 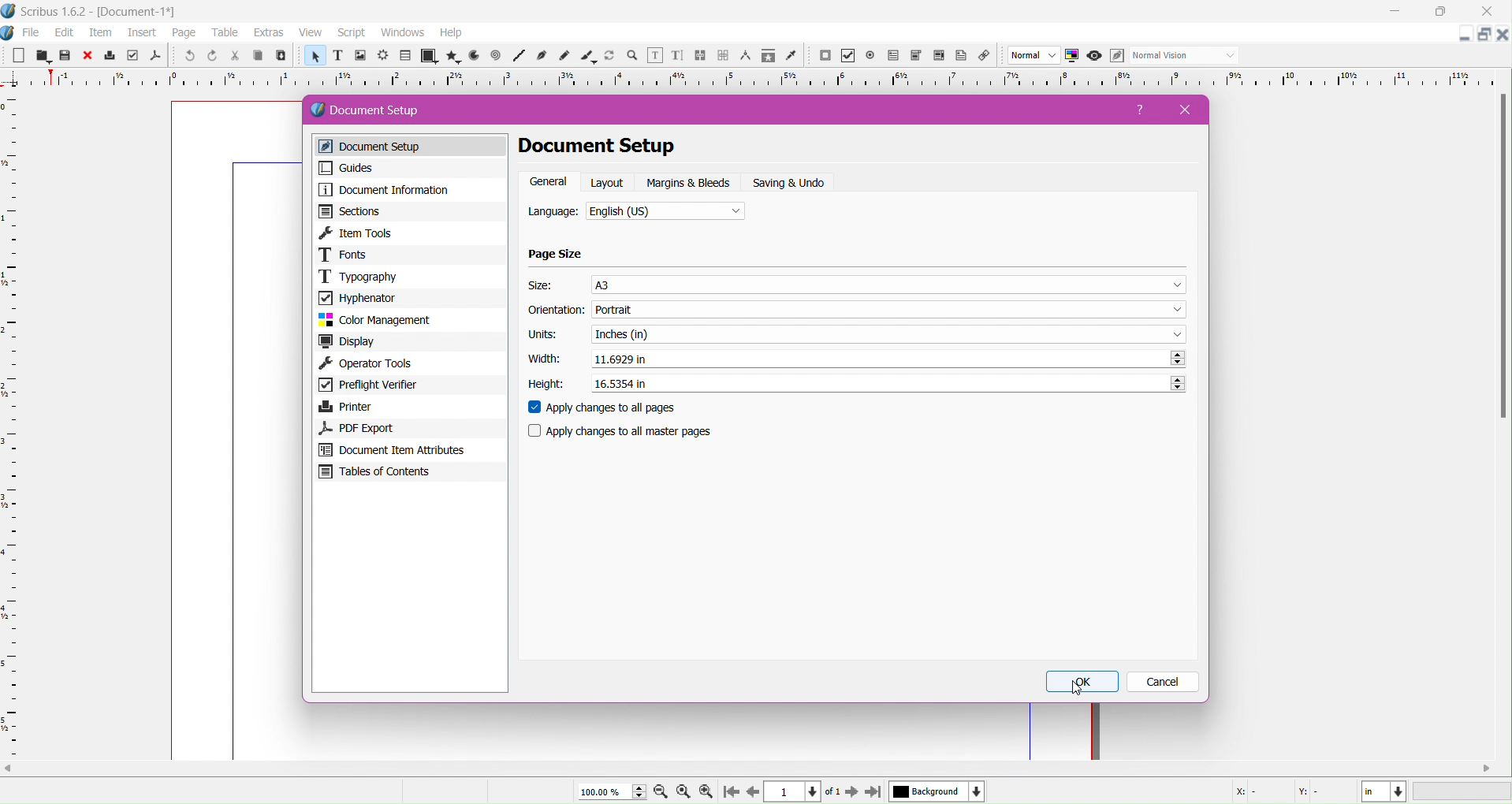 What do you see at coordinates (588, 57) in the screenshot?
I see `calligraphic lines` at bounding box center [588, 57].